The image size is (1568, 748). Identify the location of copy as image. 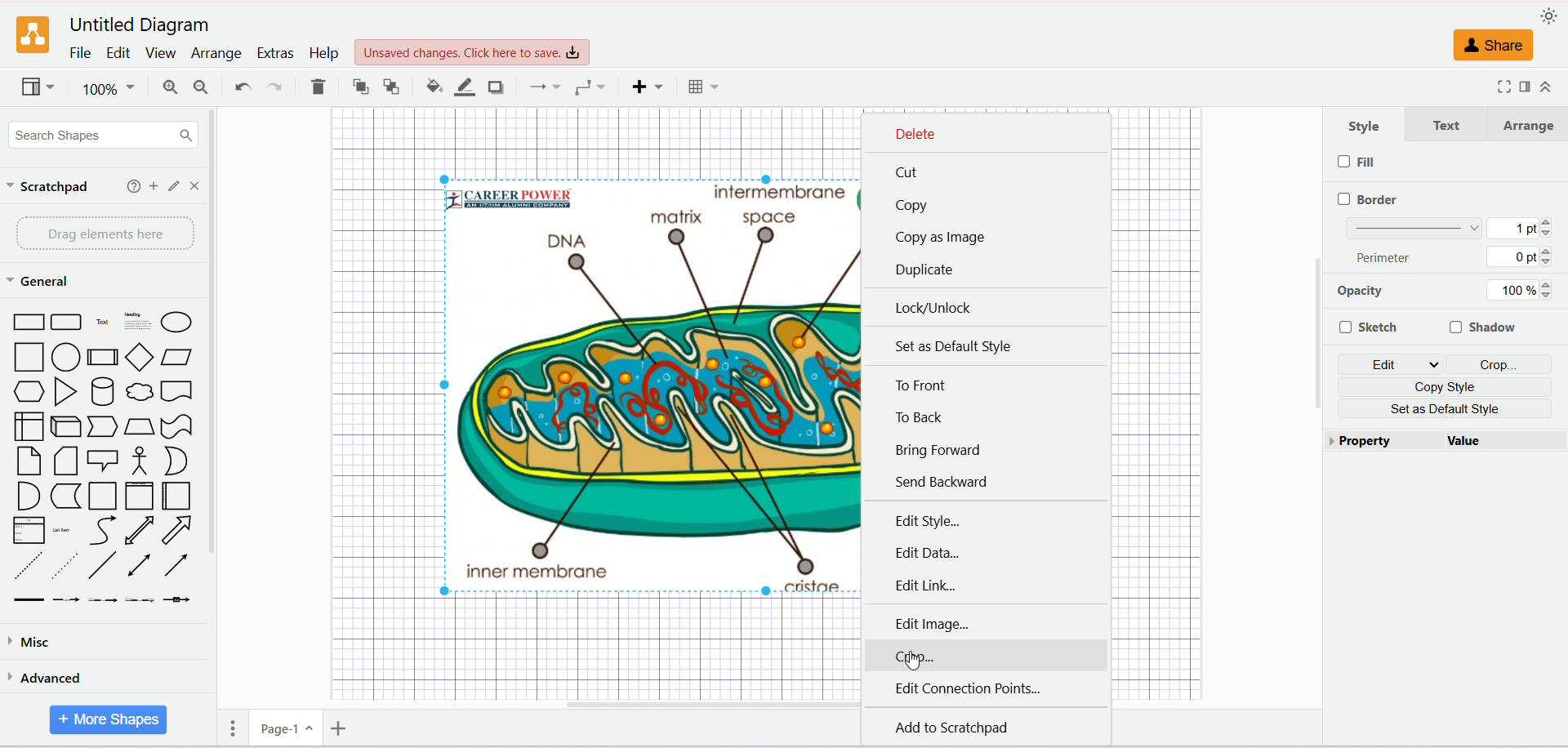
(942, 238).